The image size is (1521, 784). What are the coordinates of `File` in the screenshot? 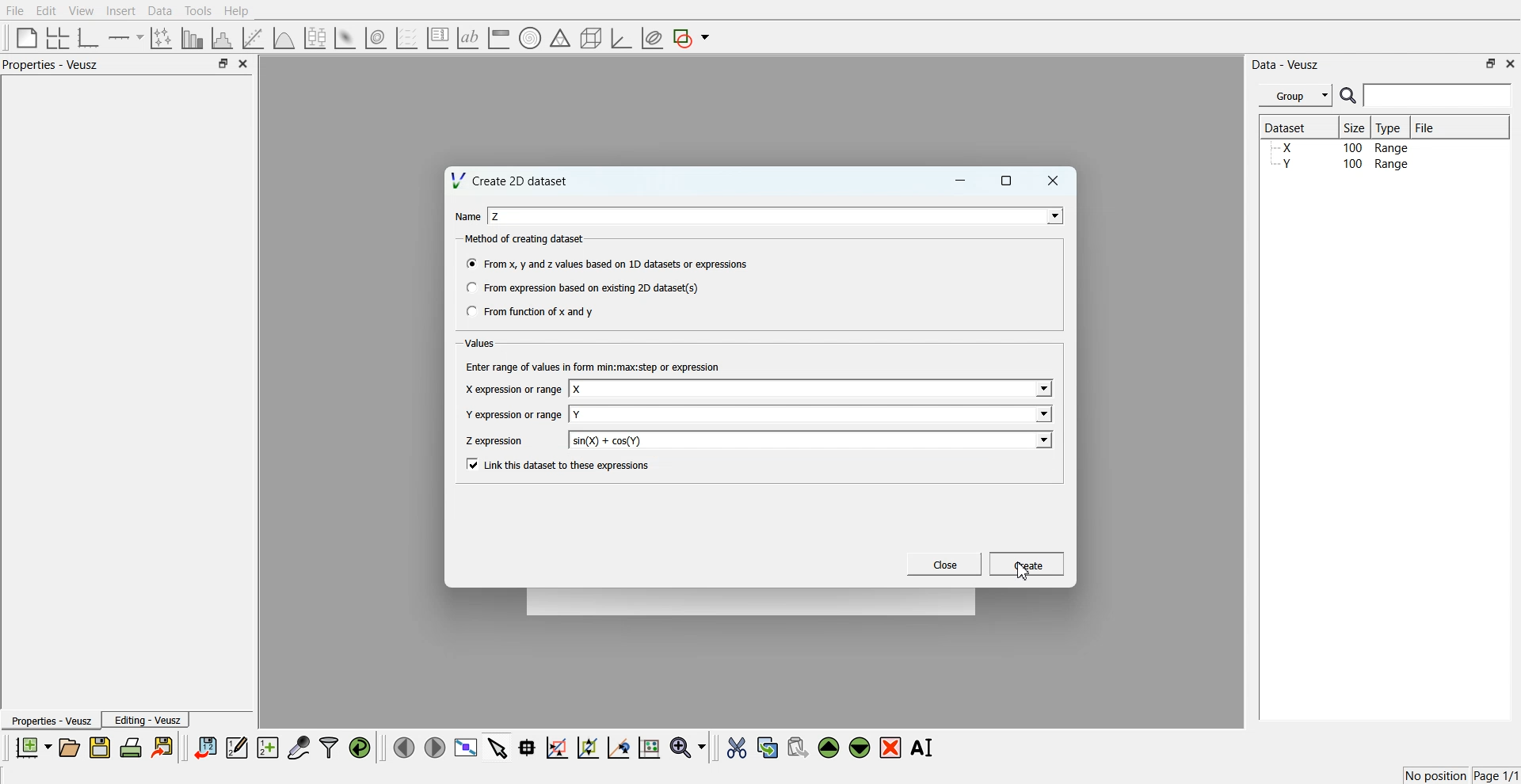 It's located at (15, 10).